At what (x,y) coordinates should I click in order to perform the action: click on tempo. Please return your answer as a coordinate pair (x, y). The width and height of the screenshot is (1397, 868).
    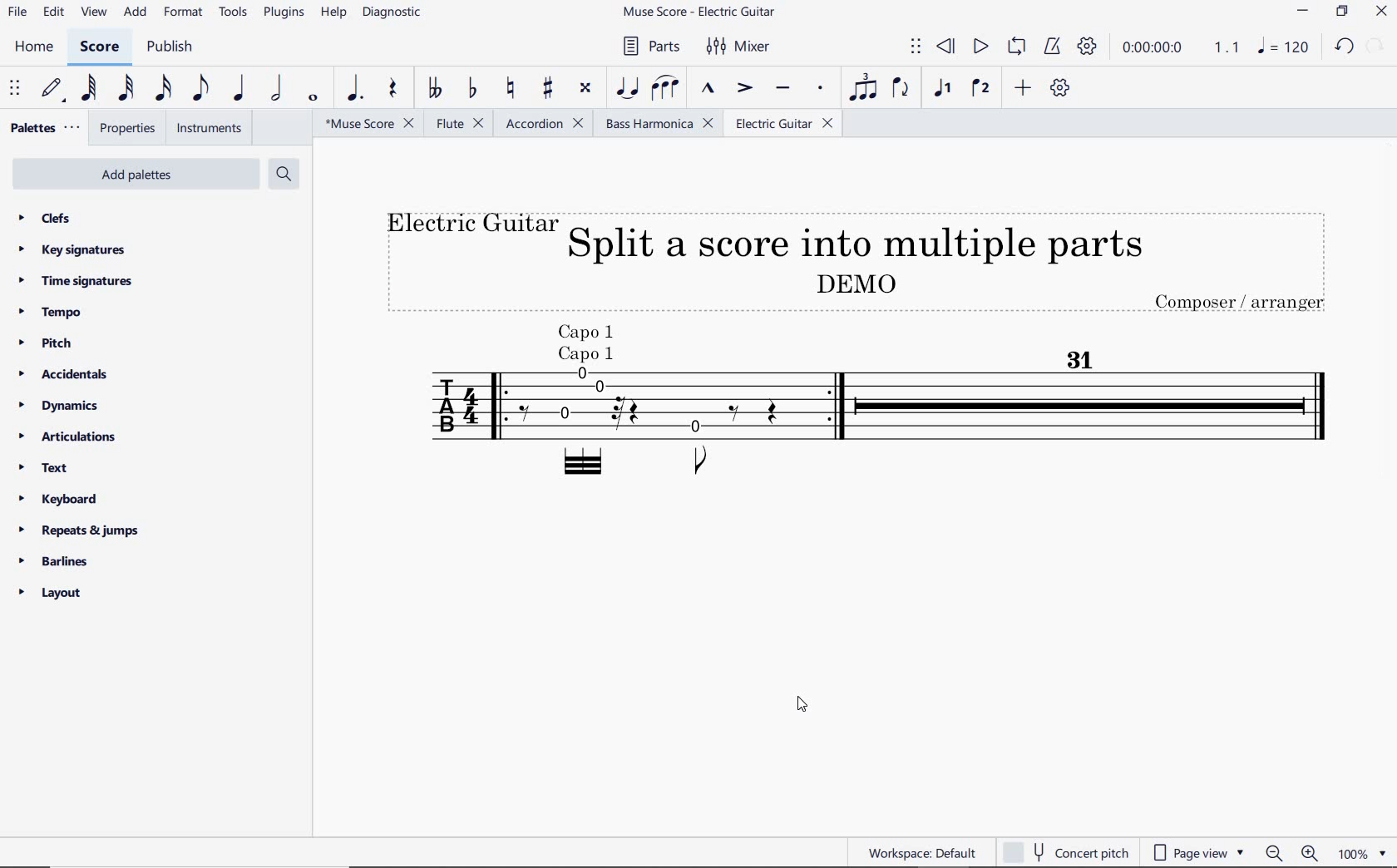
    Looking at the image, I should click on (50, 315).